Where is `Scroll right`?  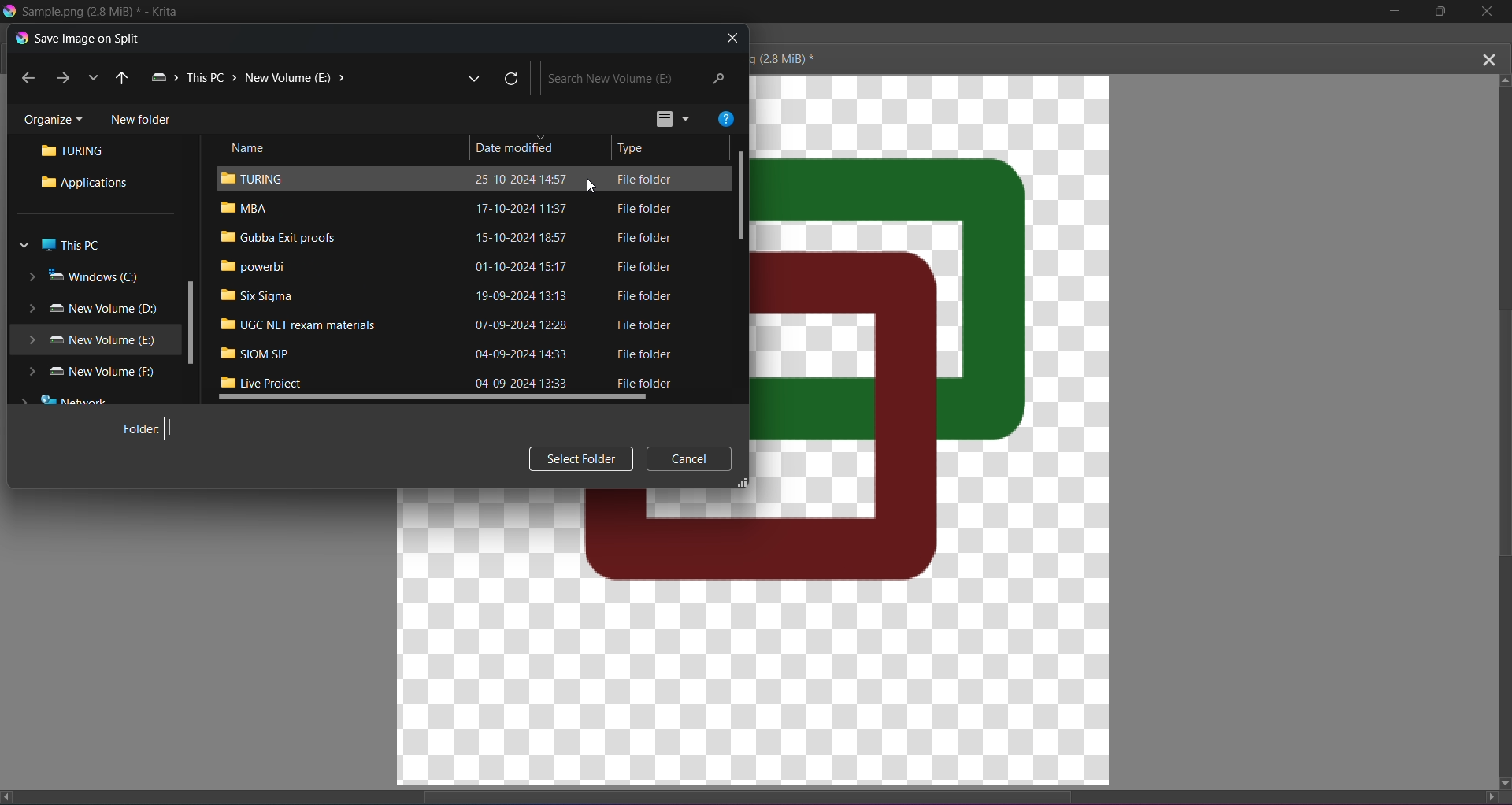
Scroll right is located at coordinates (1485, 796).